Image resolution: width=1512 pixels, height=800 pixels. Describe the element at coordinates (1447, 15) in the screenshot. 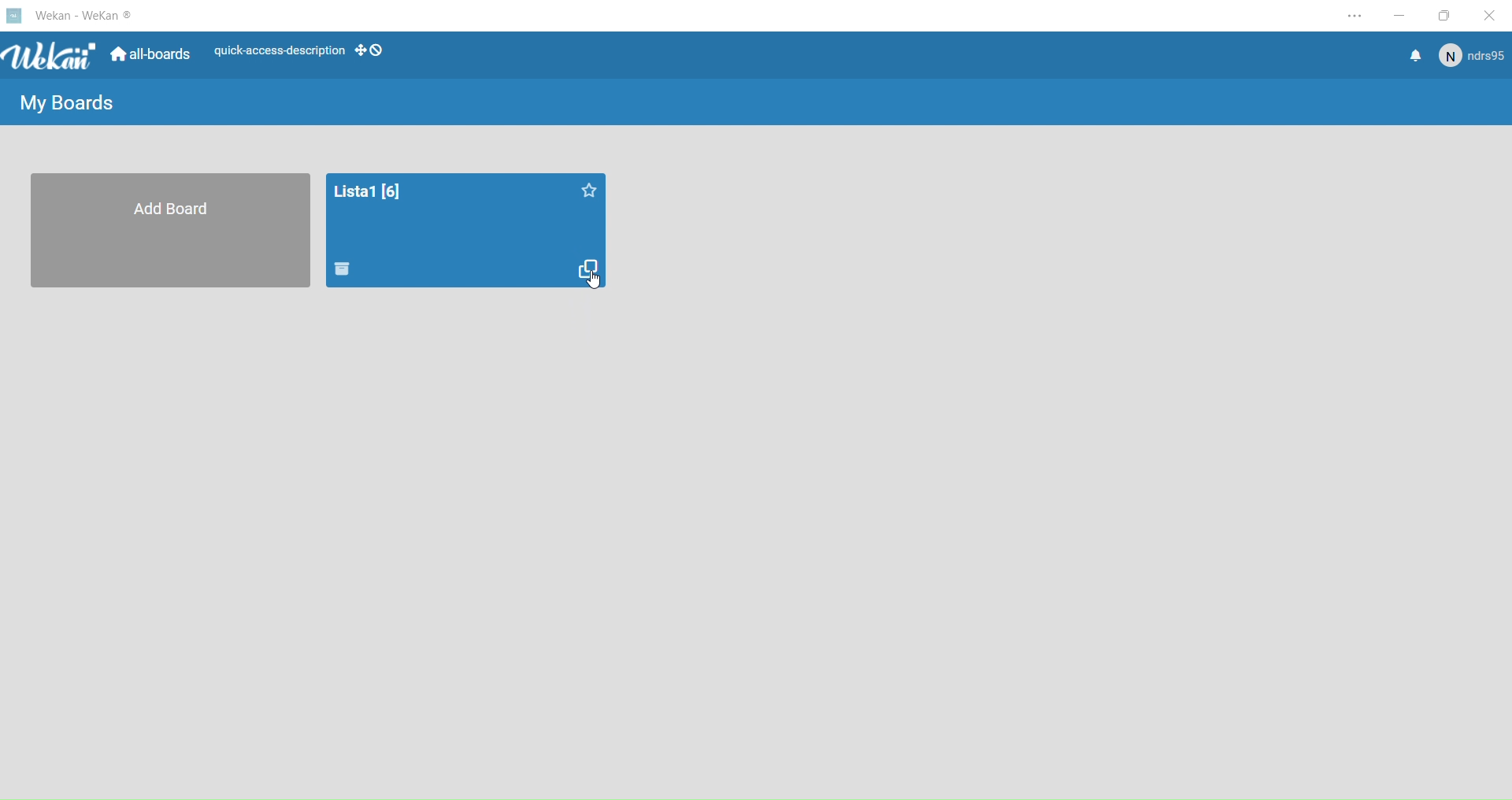

I see `Box` at that location.